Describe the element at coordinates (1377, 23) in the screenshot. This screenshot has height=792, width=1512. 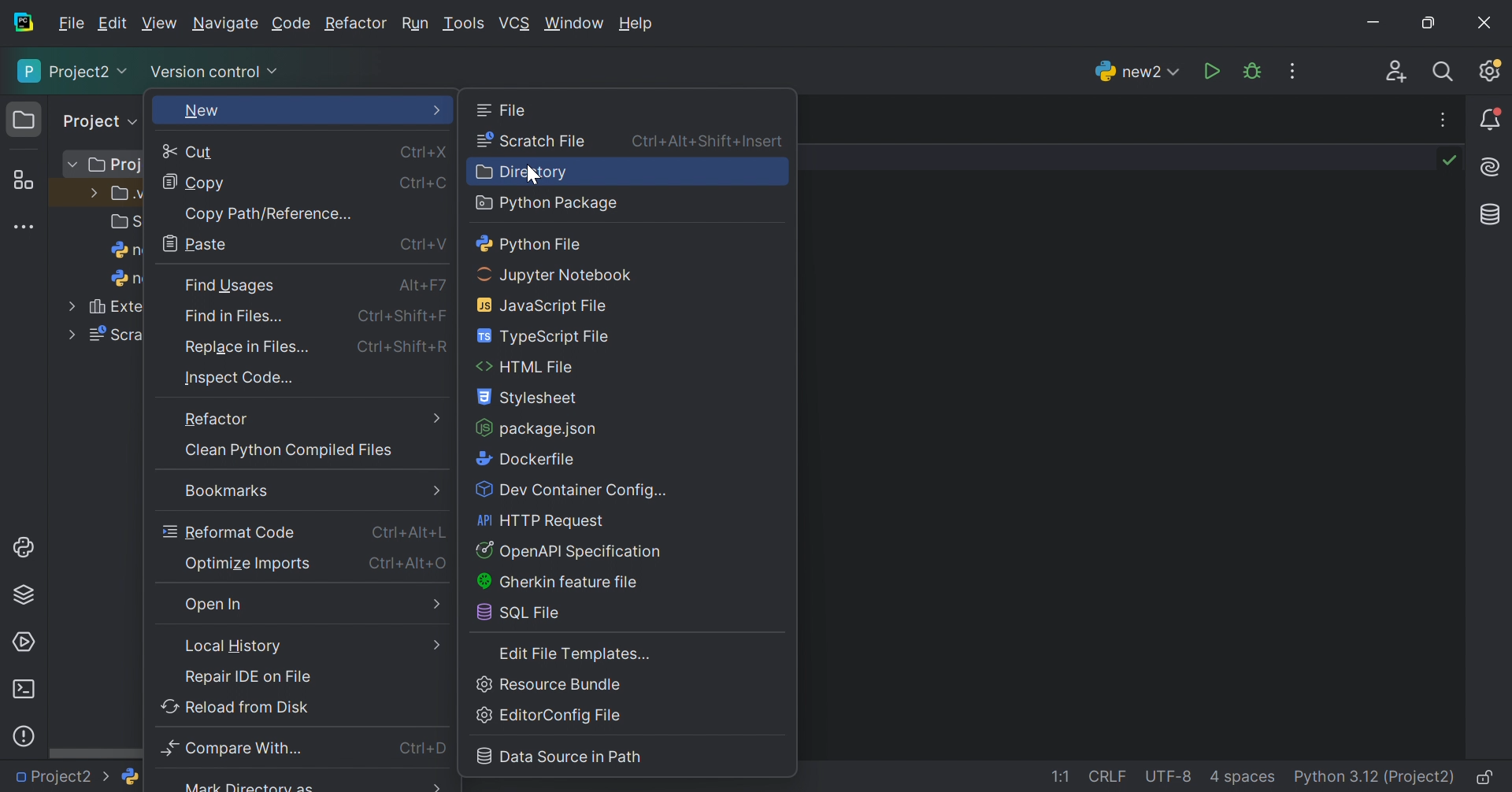
I see `Minimize` at that location.